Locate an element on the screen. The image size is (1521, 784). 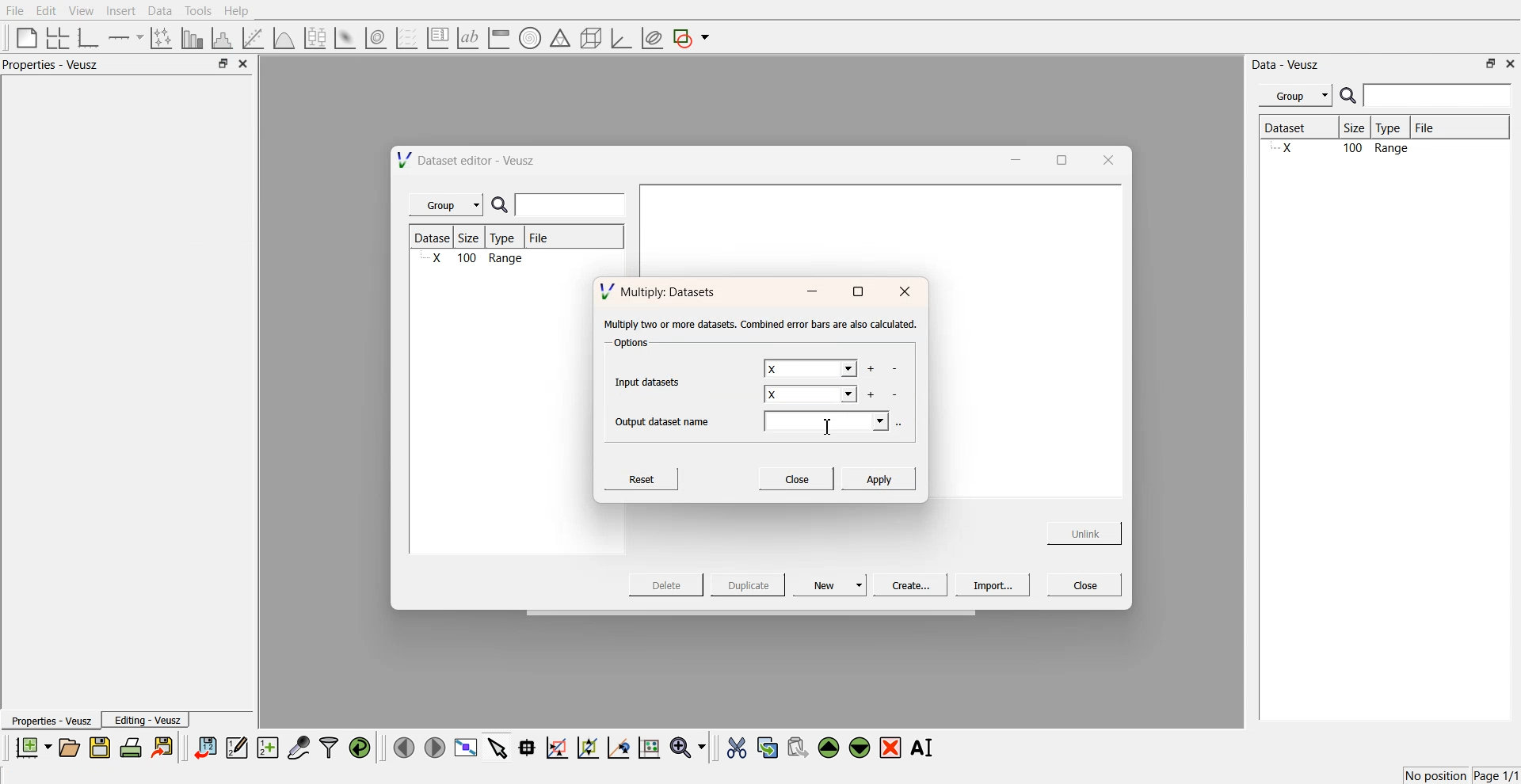
Type is located at coordinates (1393, 128).